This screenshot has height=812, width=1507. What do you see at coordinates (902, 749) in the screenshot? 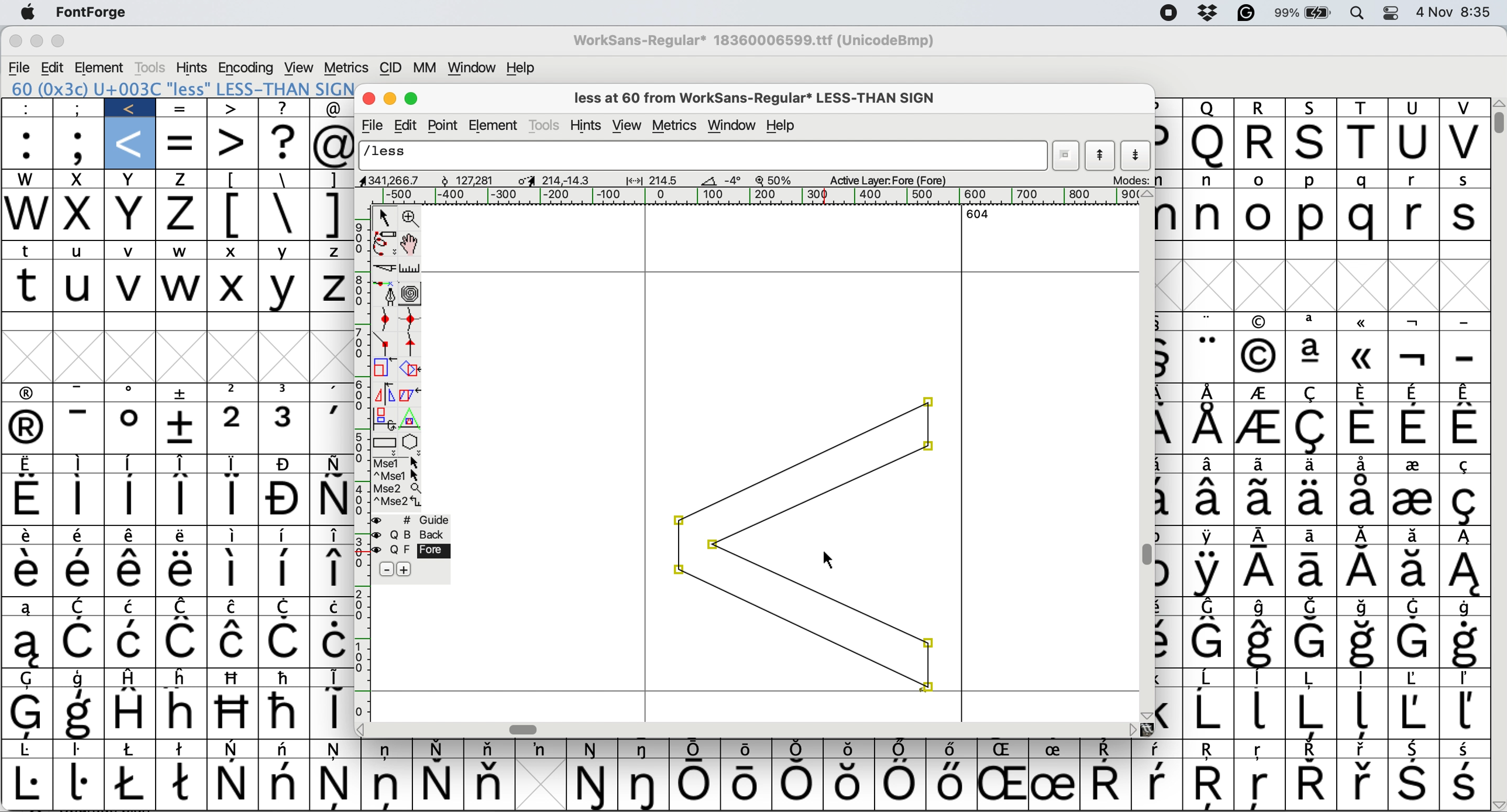
I see `Symbol` at bounding box center [902, 749].